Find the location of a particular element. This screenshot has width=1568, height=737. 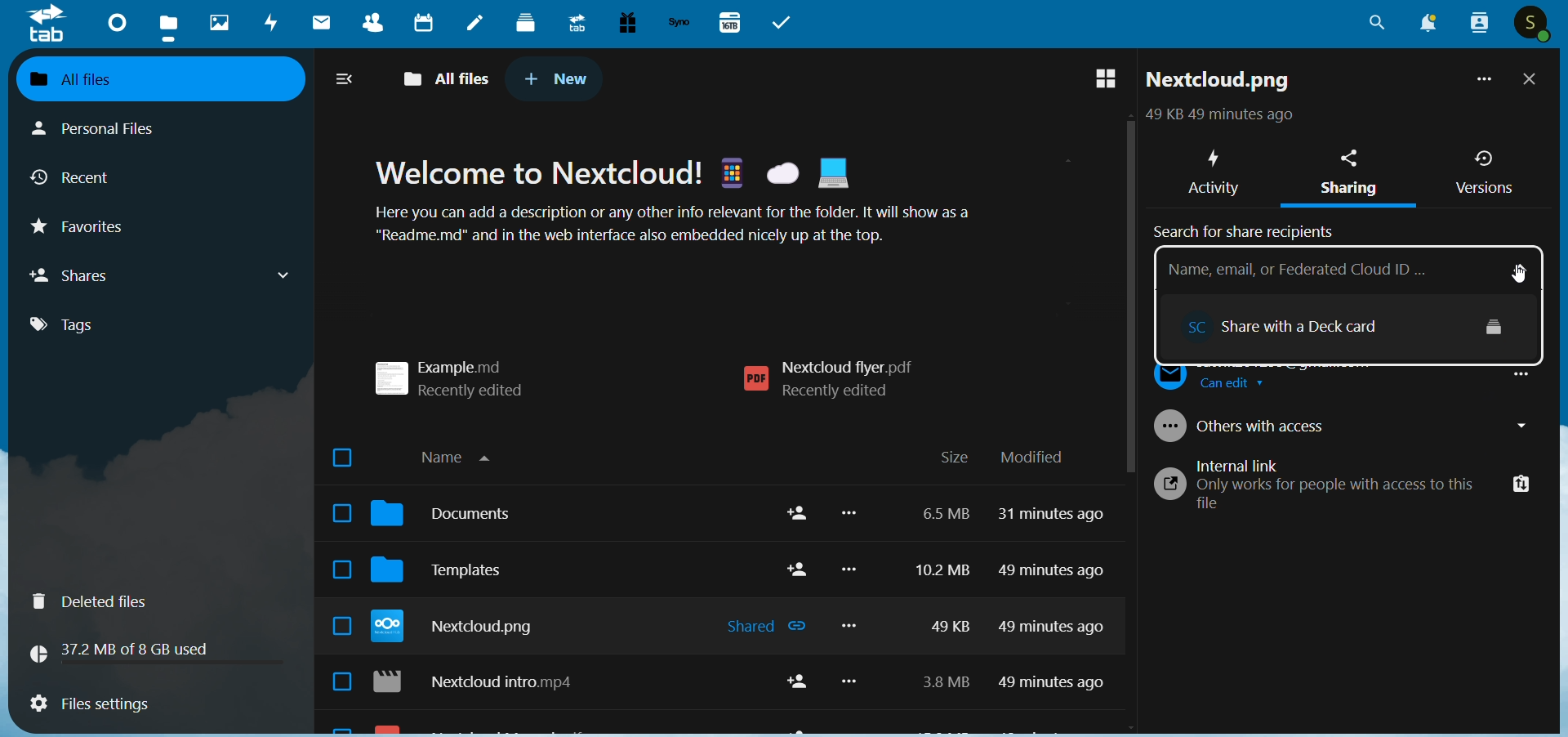

name is located at coordinates (464, 454).